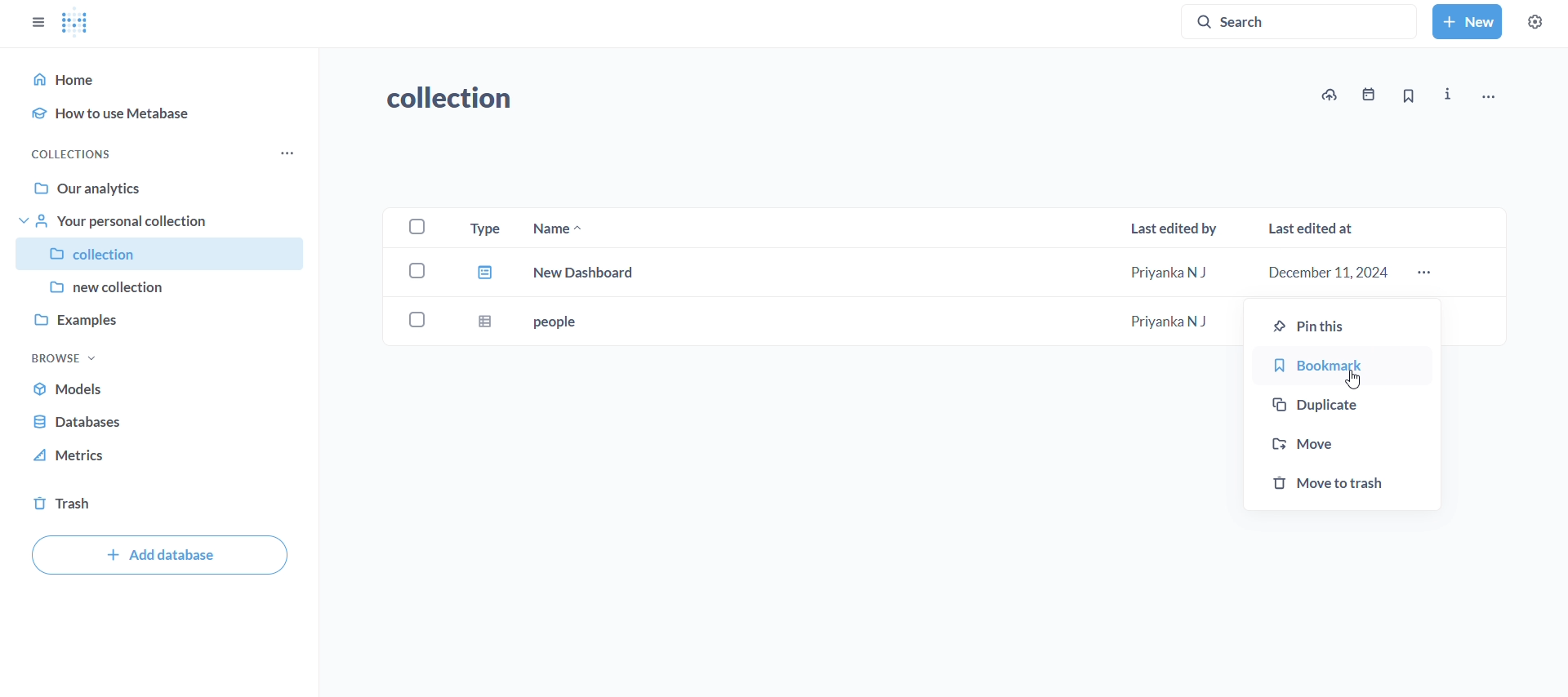 The width and height of the screenshot is (1568, 697). What do you see at coordinates (75, 153) in the screenshot?
I see `collections` at bounding box center [75, 153].